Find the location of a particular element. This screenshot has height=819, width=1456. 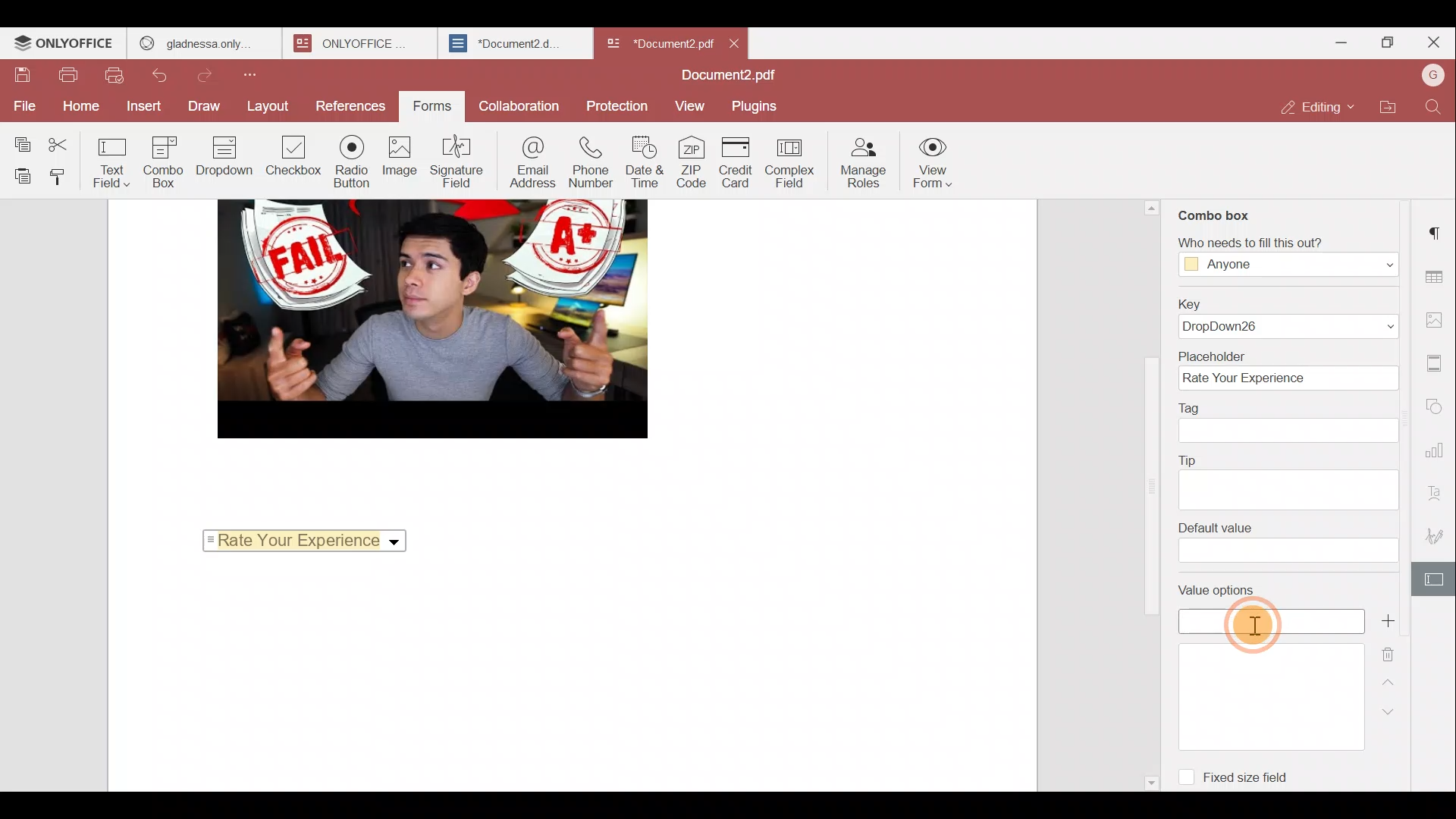

Chart settings is located at coordinates (1439, 452).